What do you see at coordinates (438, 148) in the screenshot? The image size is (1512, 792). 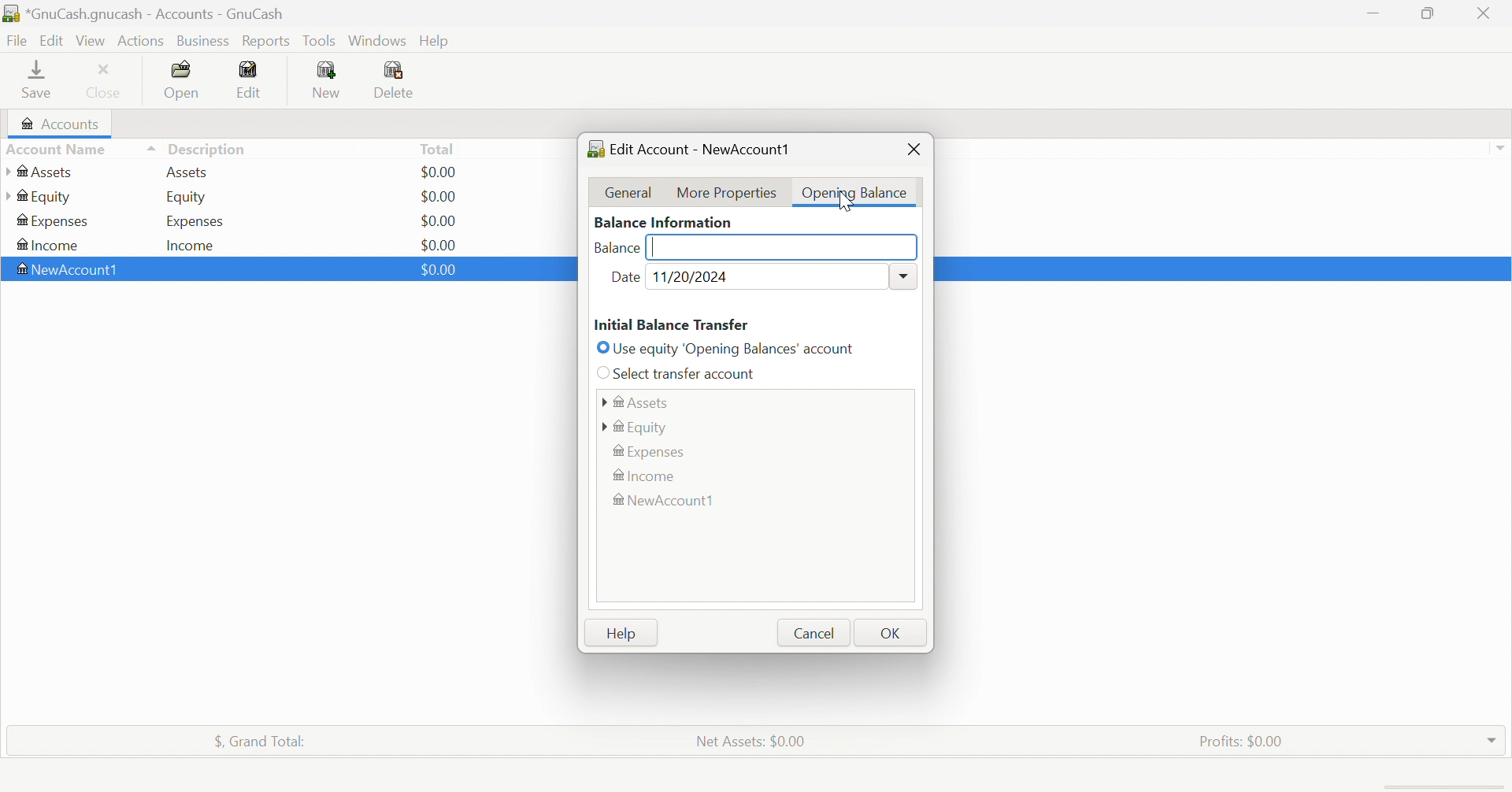 I see `Total` at bounding box center [438, 148].